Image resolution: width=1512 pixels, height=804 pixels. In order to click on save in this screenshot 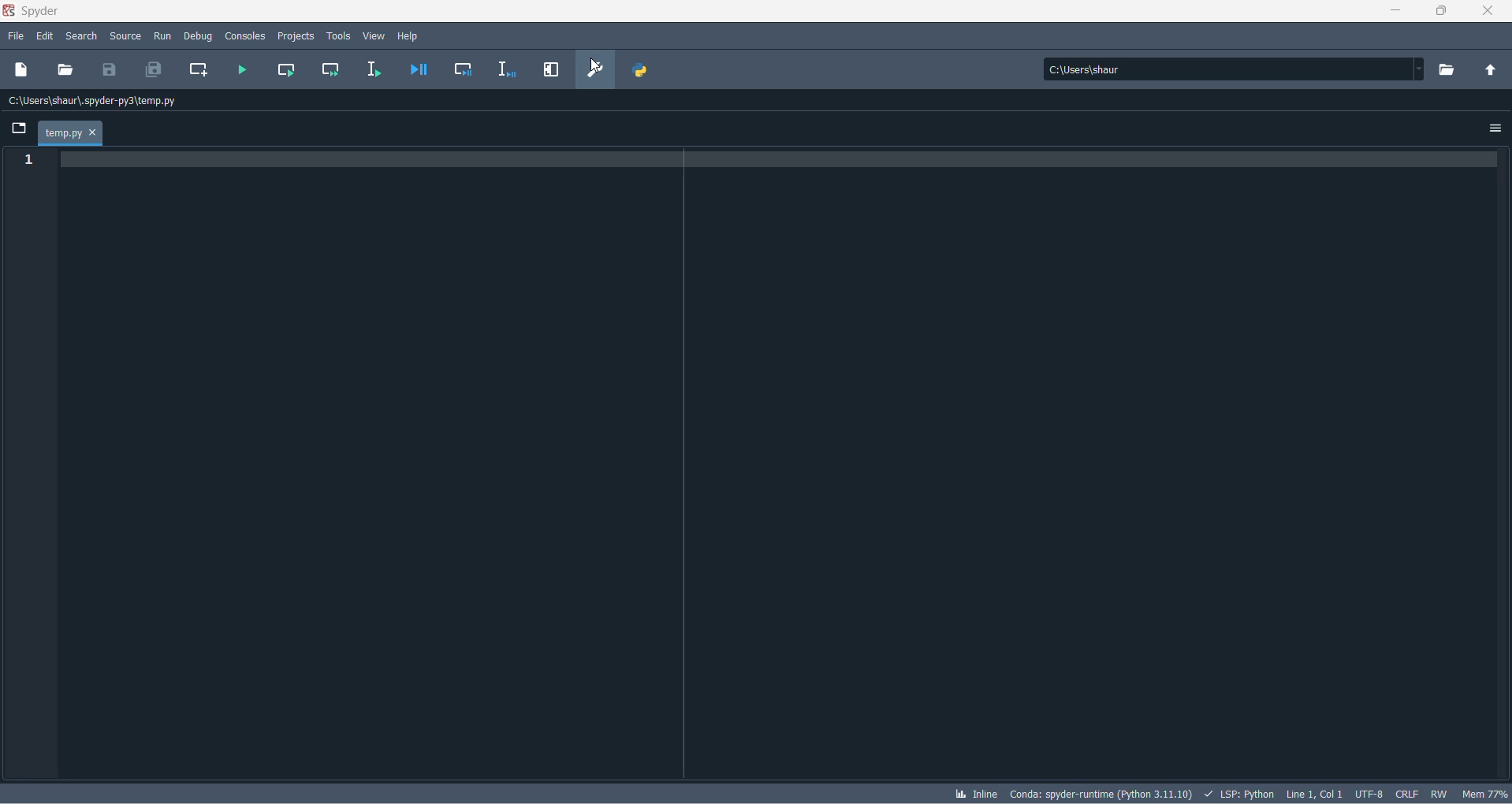, I will do `click(110, 69)`.